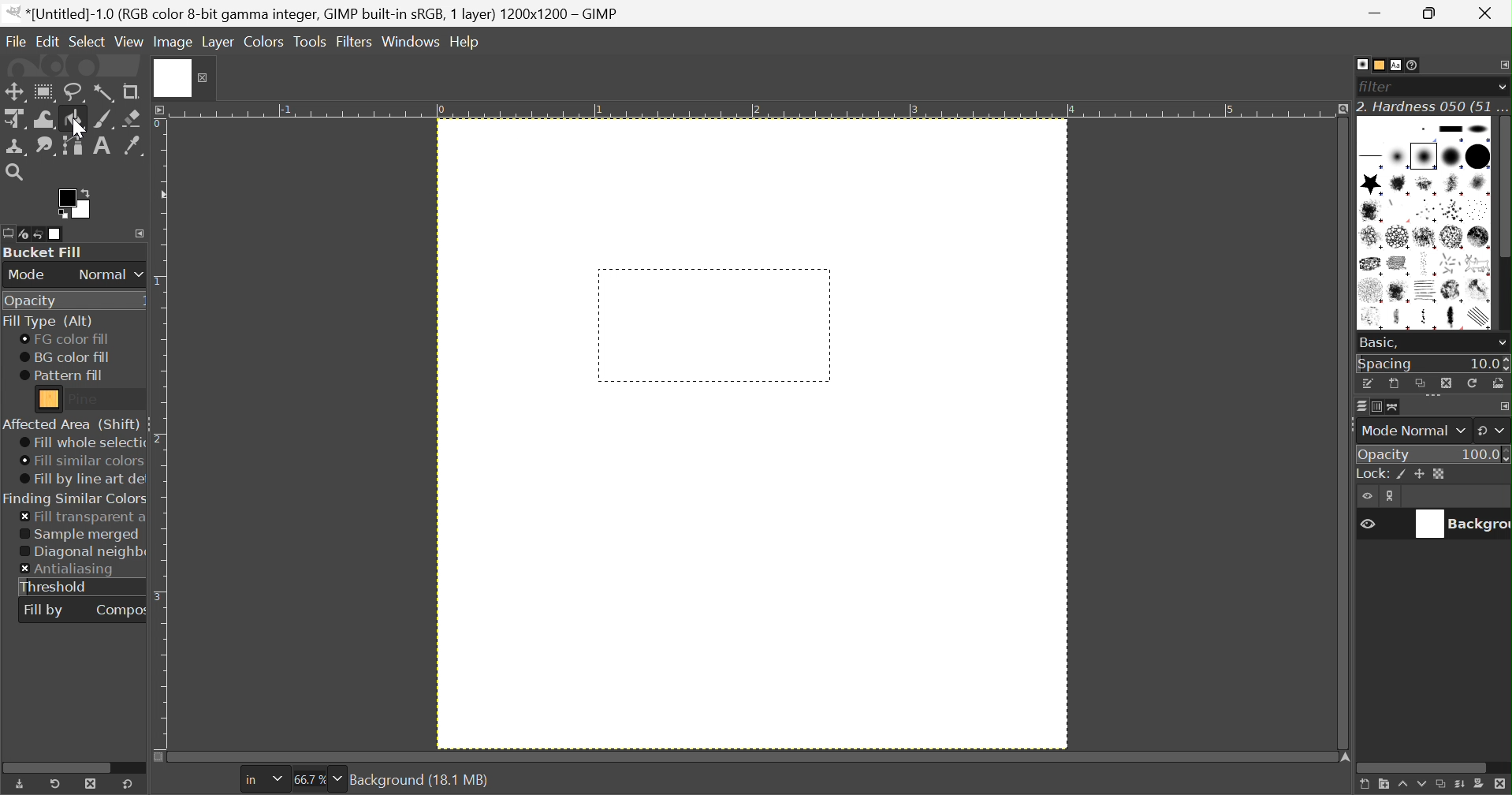  Describe the element at coordinates (1340, 110) in the screenshot. I see `Zoom image when window size changes` at that location.